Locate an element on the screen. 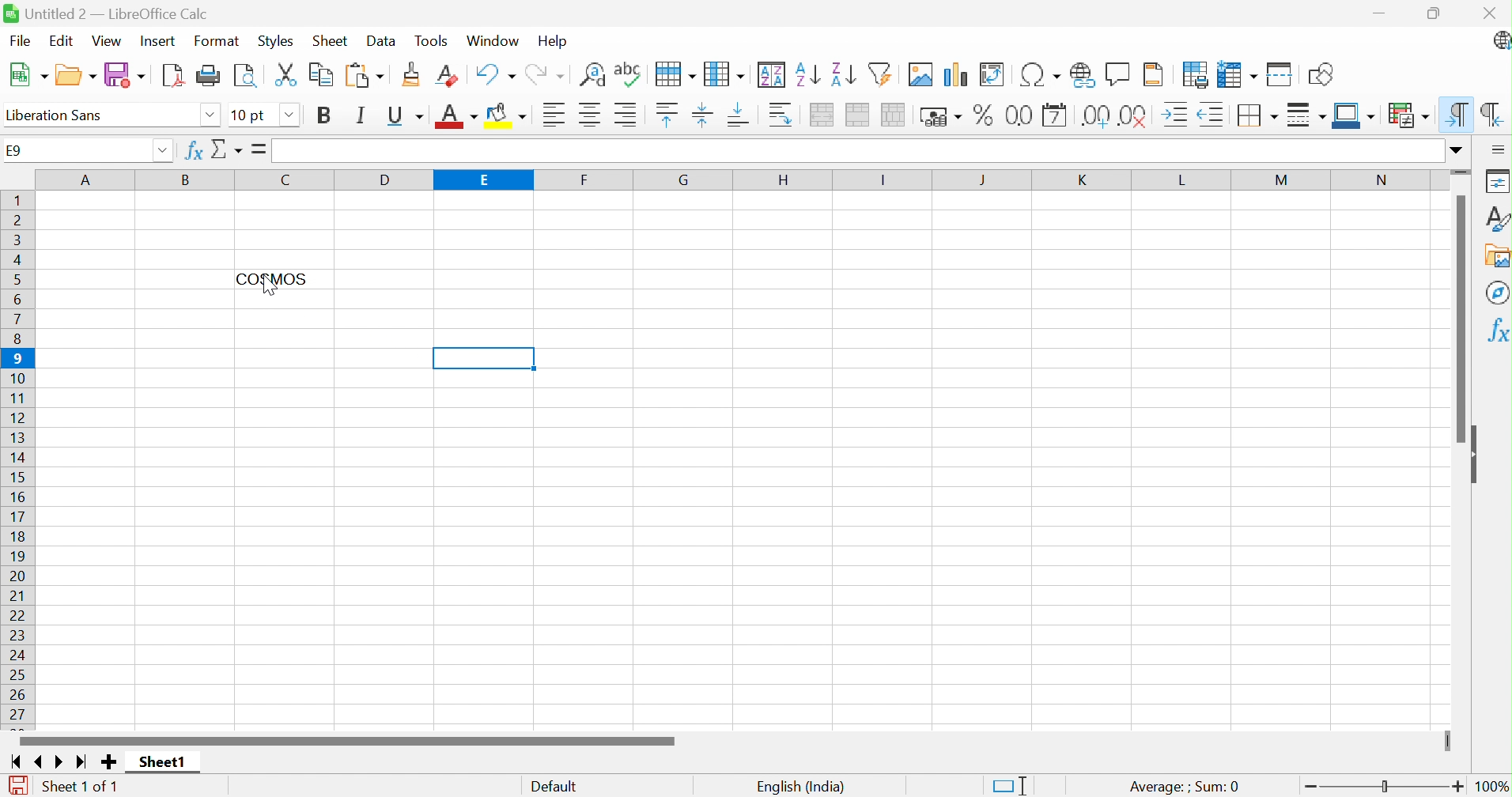 This screenshot has height=797, width=1512. Default is located at coordinates (554, 788).